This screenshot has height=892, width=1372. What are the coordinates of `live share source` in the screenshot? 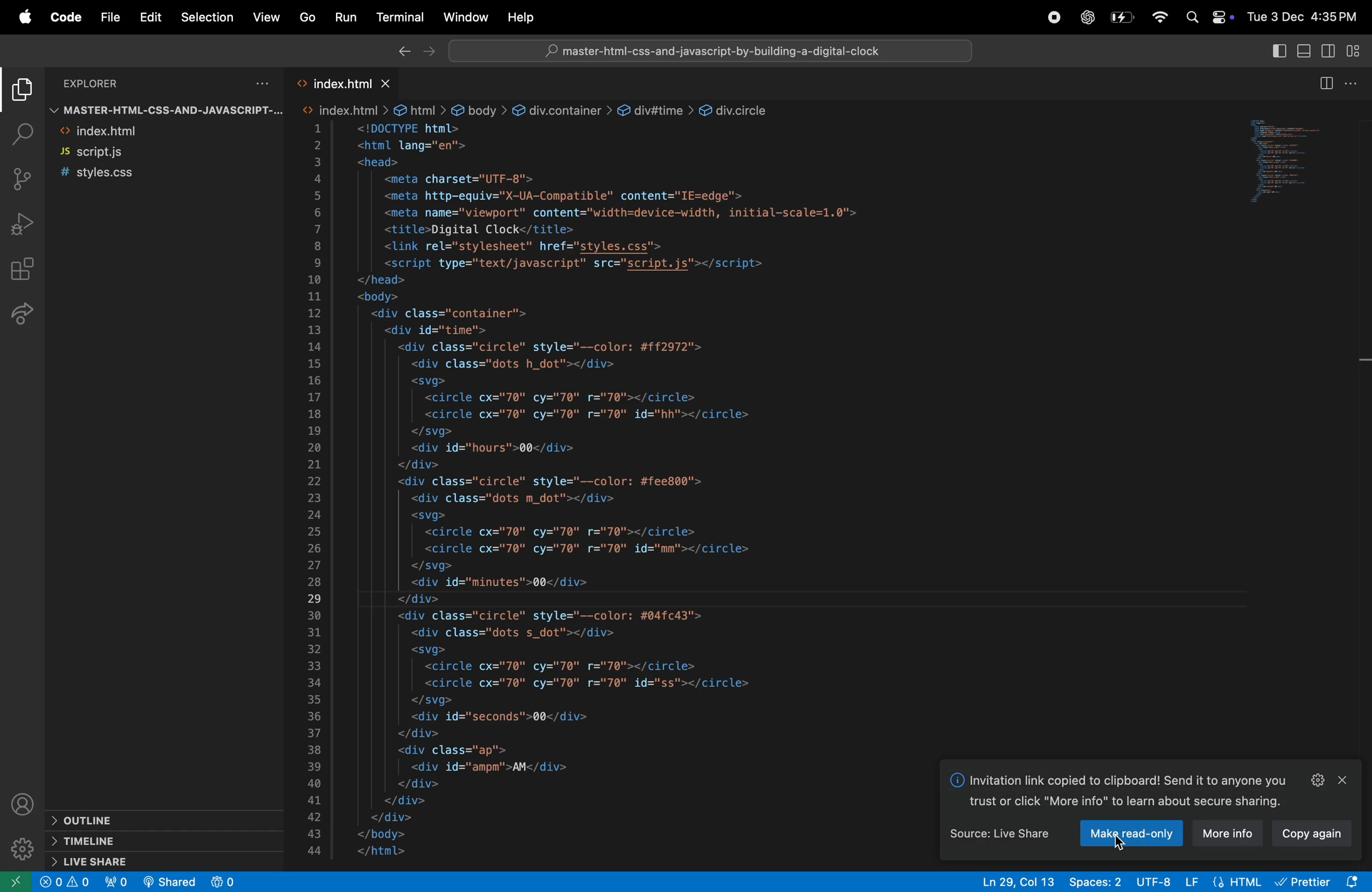 It's located at (997, 836).